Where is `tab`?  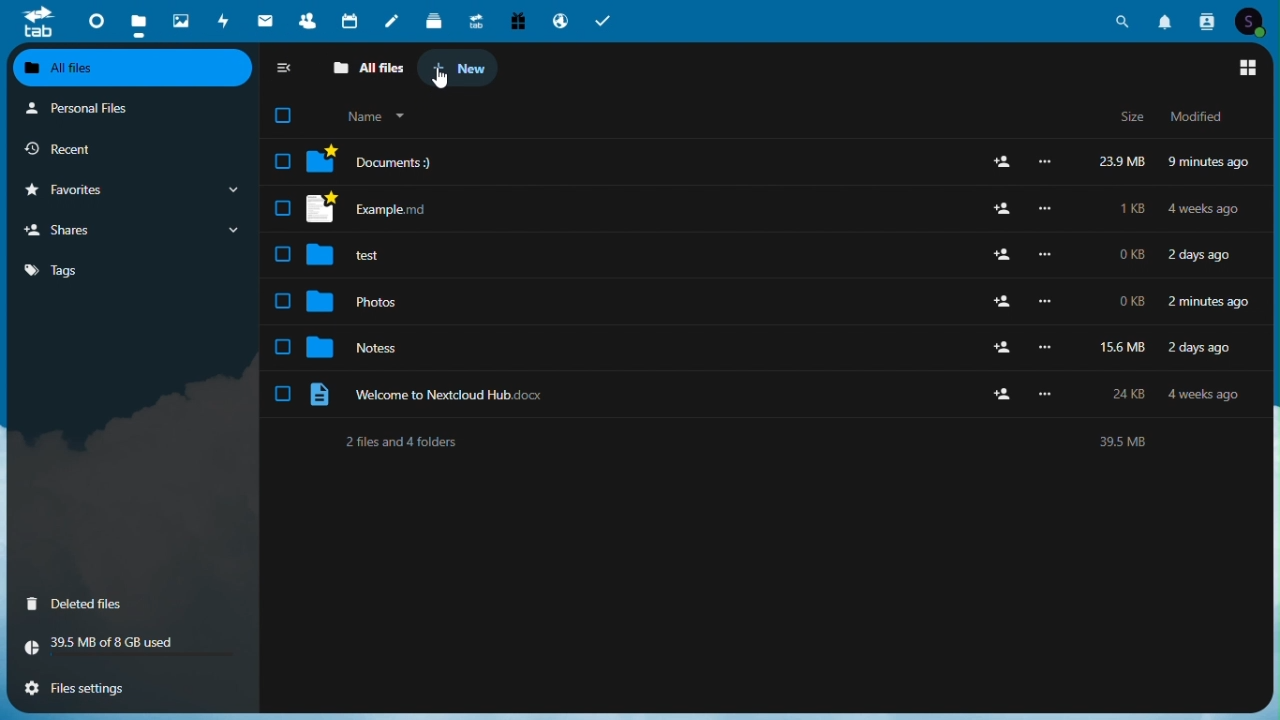 tab is located at coordinates (39, 21).